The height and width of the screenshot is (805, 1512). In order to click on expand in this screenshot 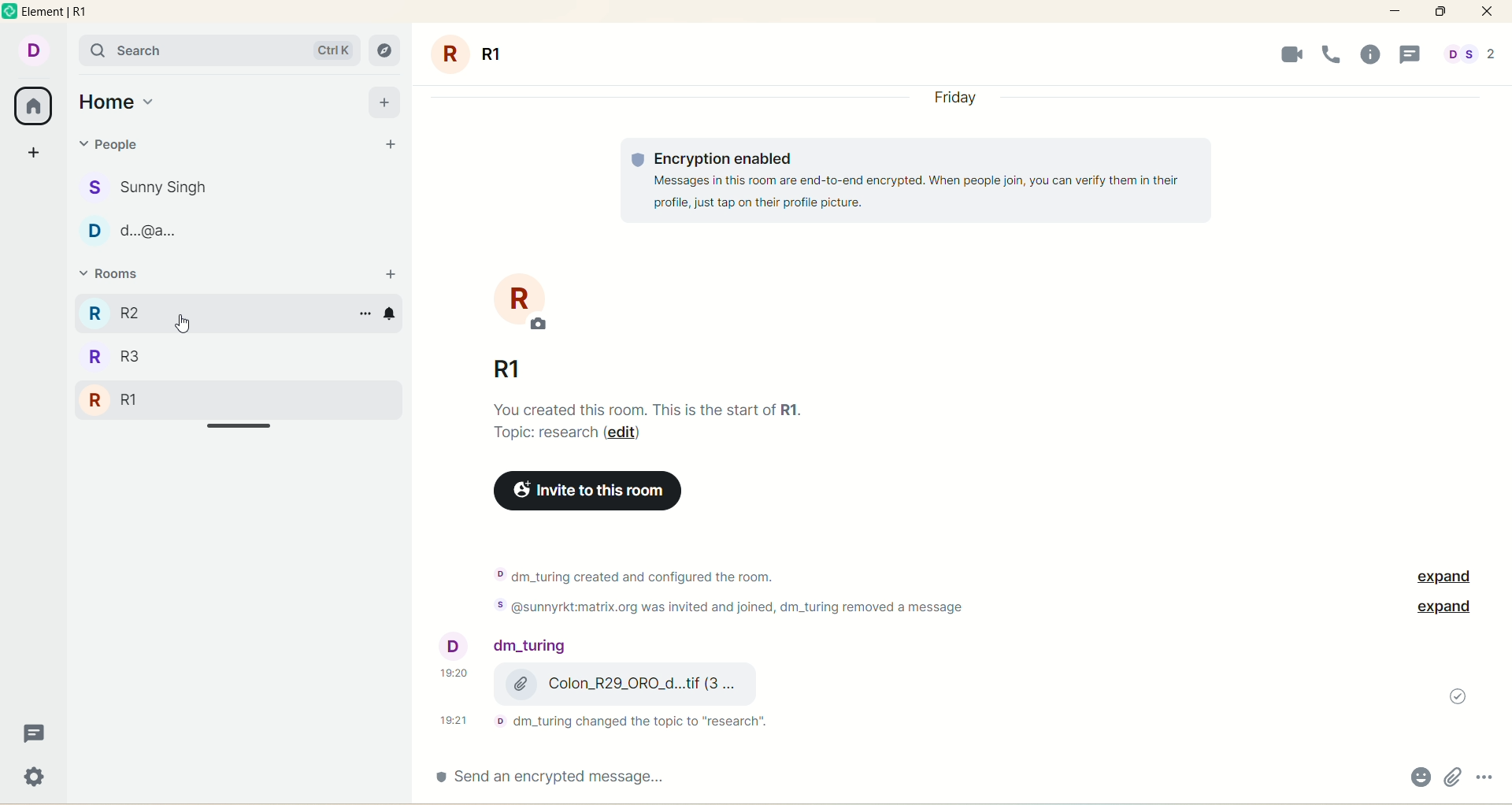, I will do `click(1438, 577)`.